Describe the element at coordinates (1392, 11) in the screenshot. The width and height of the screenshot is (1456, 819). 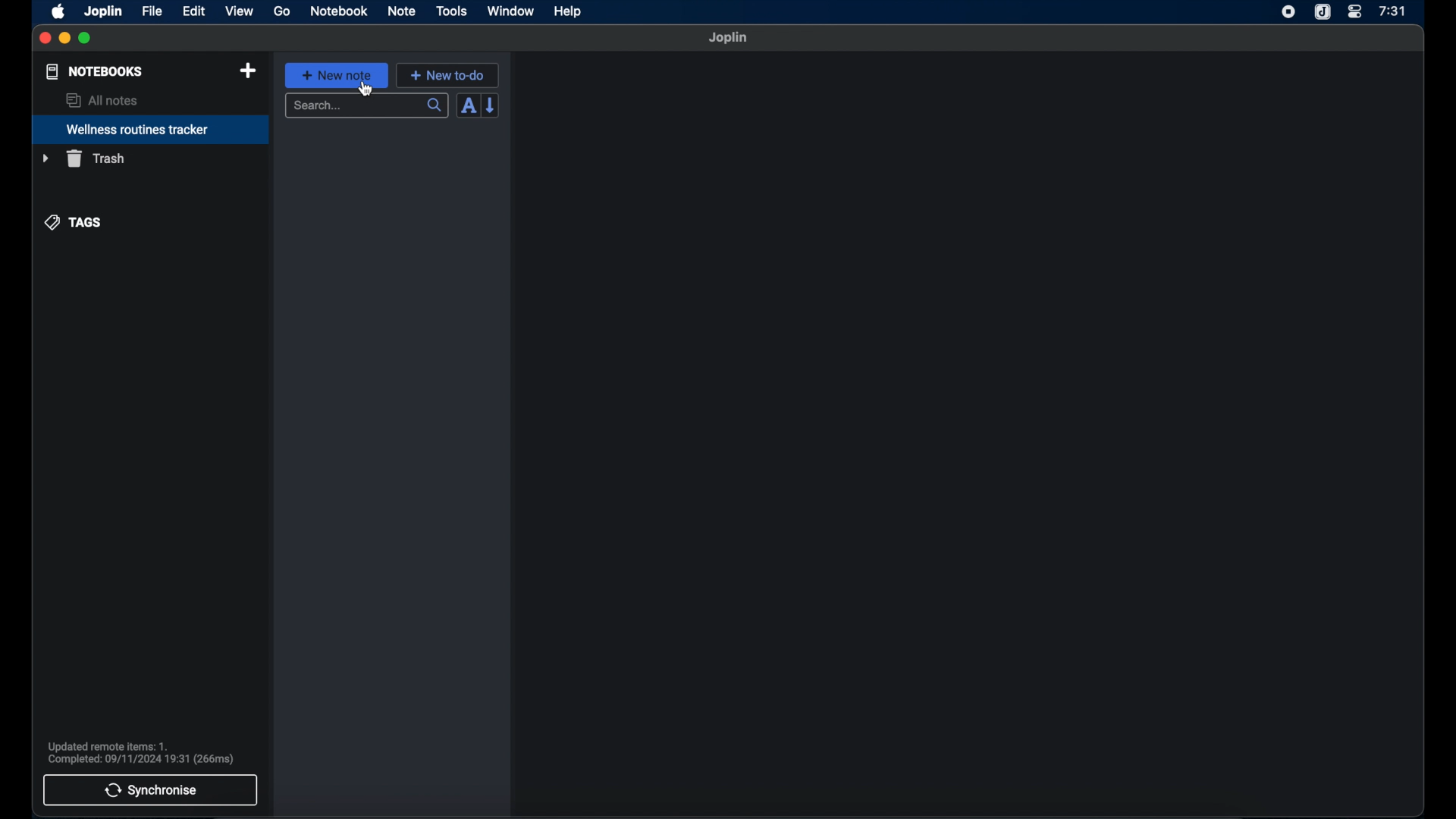
I see `7:31` at that location.